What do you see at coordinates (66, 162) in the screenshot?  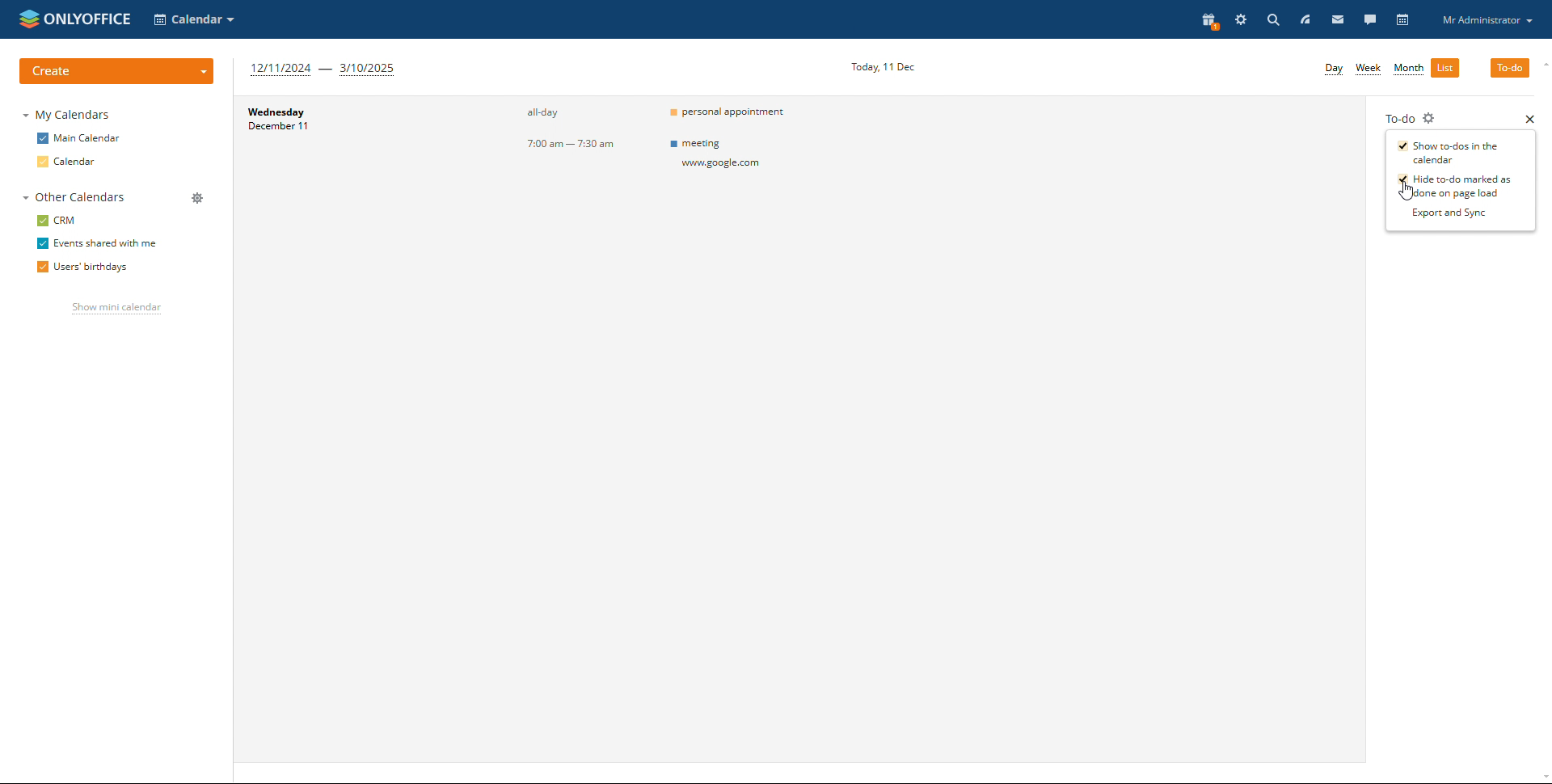 I see `calendar` at bounding box center [66, 162].